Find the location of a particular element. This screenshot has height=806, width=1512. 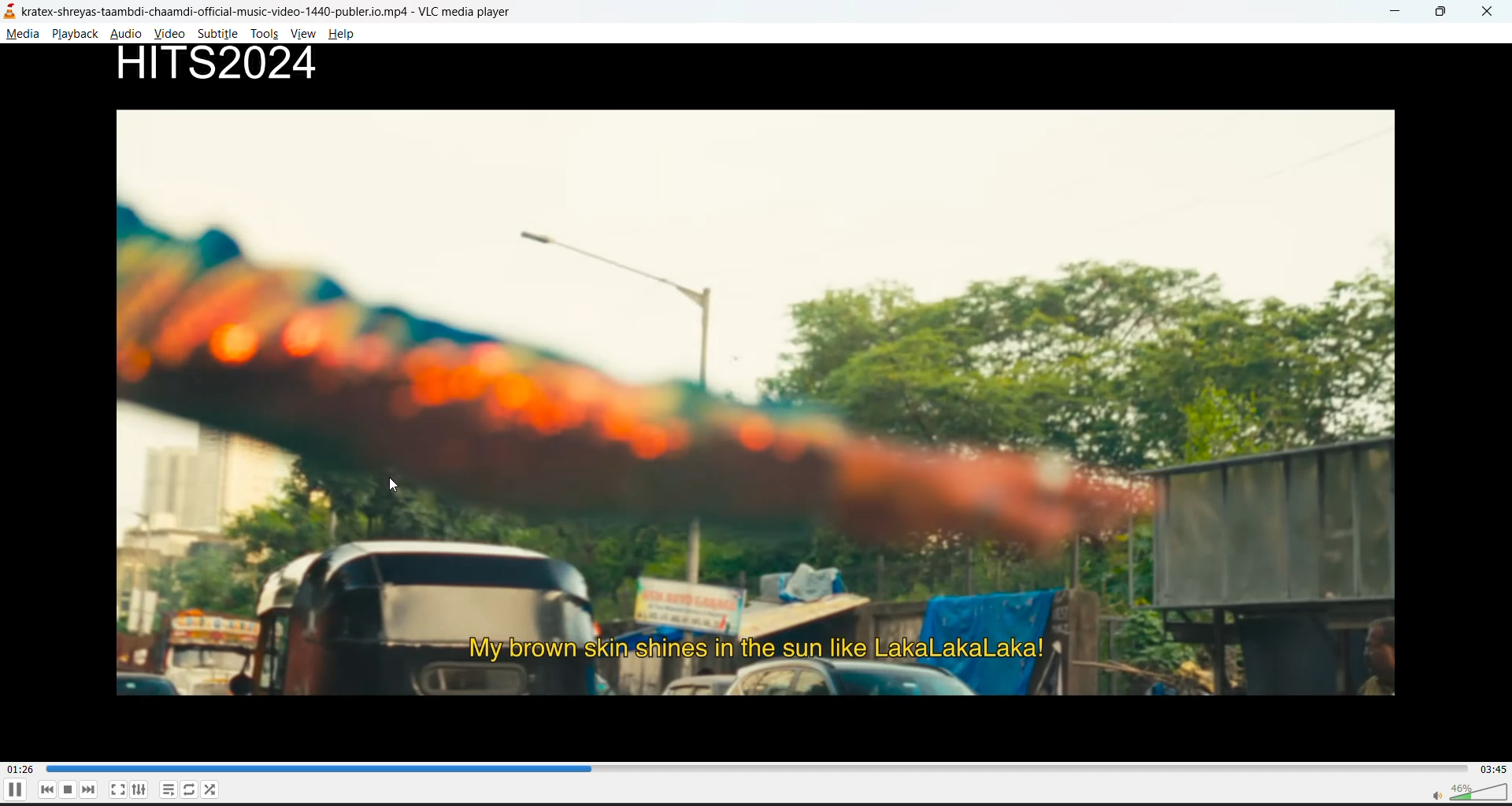

total track time is located at coordinates (1492, 768).